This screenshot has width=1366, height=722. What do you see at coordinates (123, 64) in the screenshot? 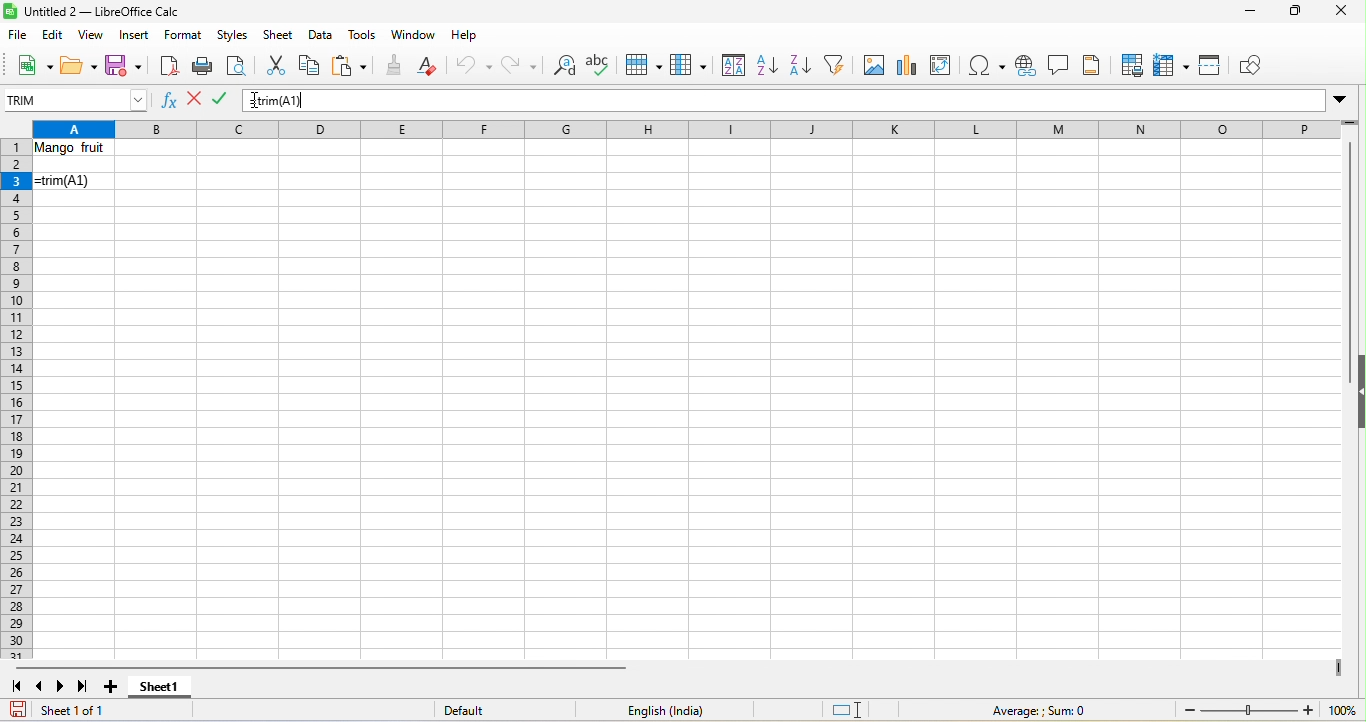
I see `save` at bounding box center [123, 64].